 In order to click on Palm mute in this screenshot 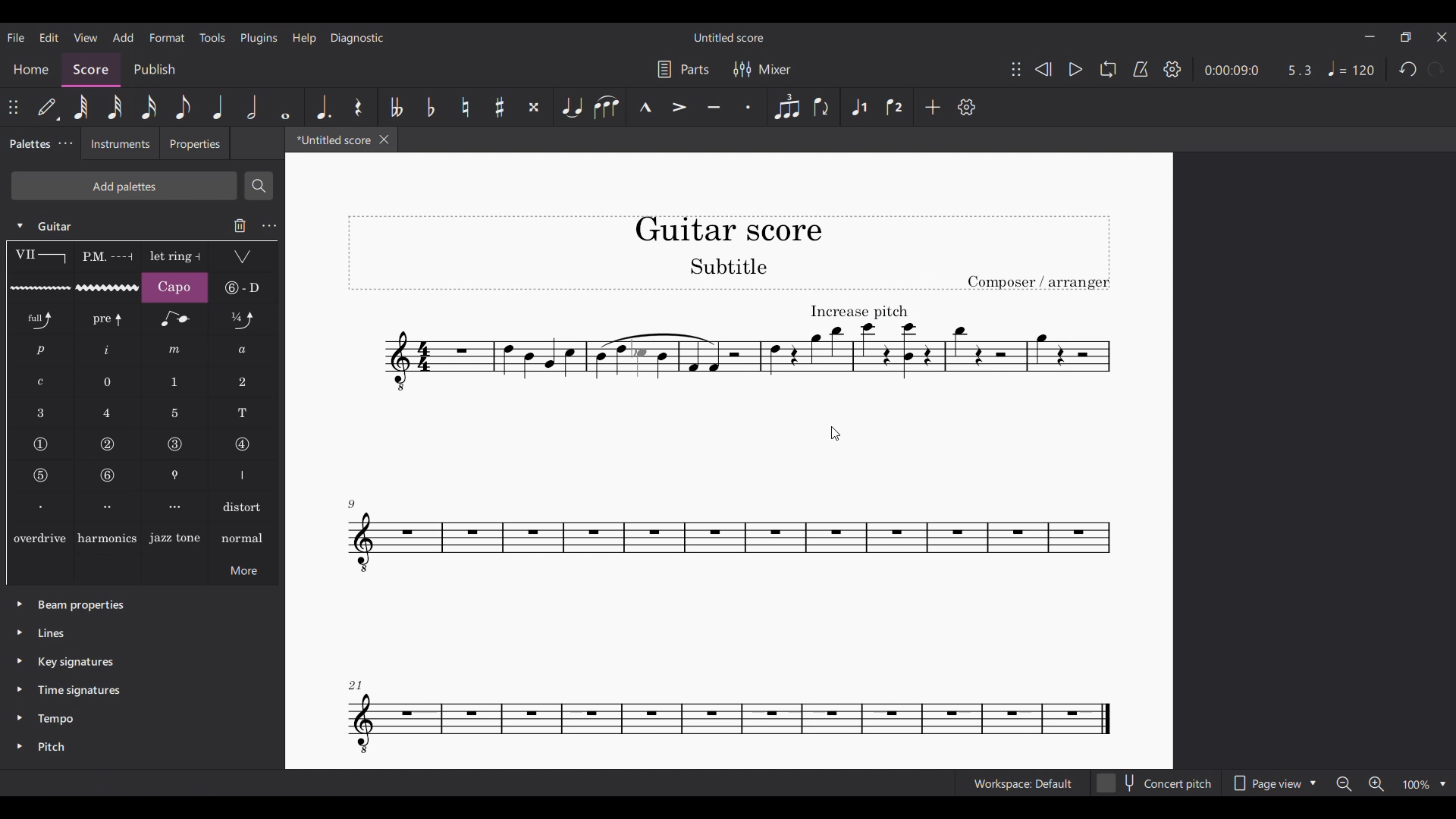, I will do `click(106, 257)`.